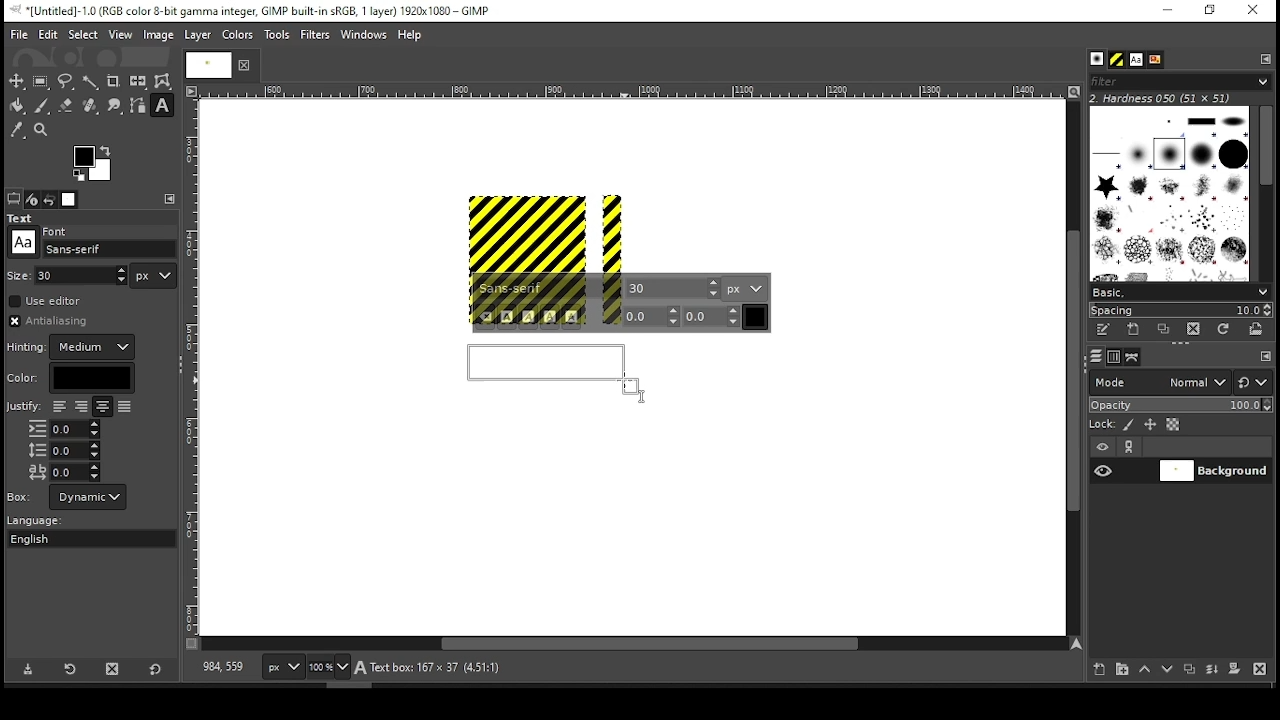 The image size is (1280, 720). I want to click on layers, so click(1095, 357).